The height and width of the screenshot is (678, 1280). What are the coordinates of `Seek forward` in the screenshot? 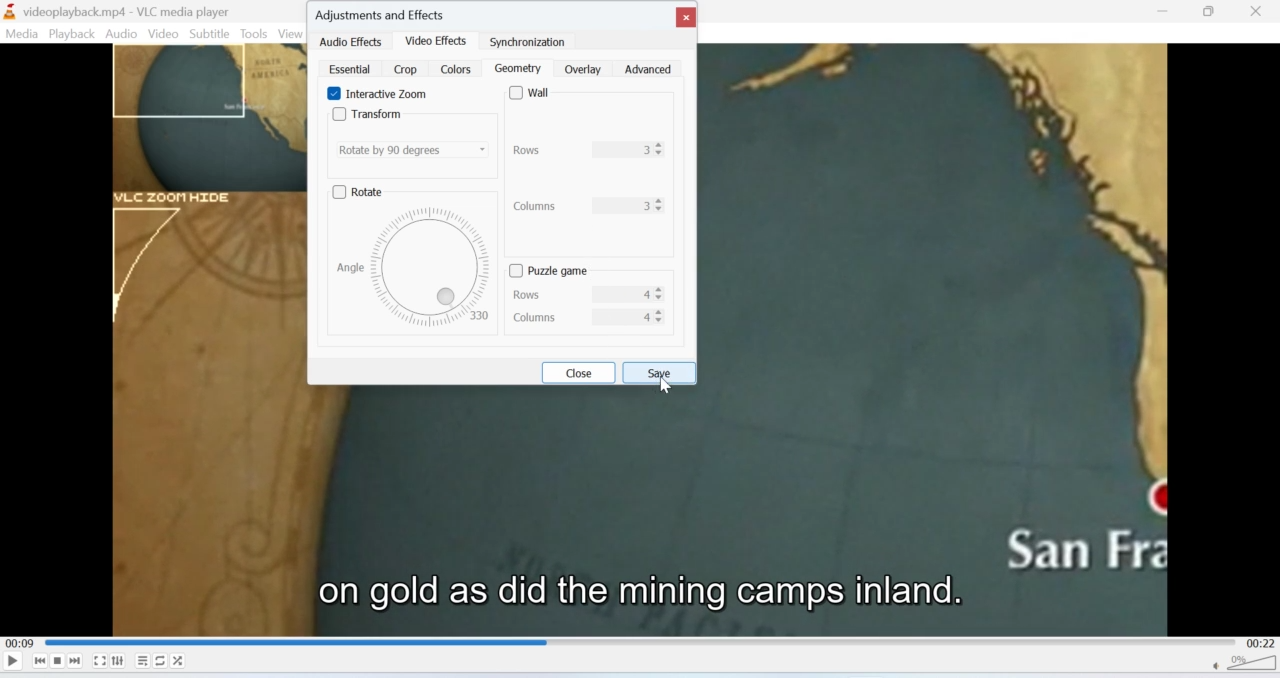 It's located at (76, 661).